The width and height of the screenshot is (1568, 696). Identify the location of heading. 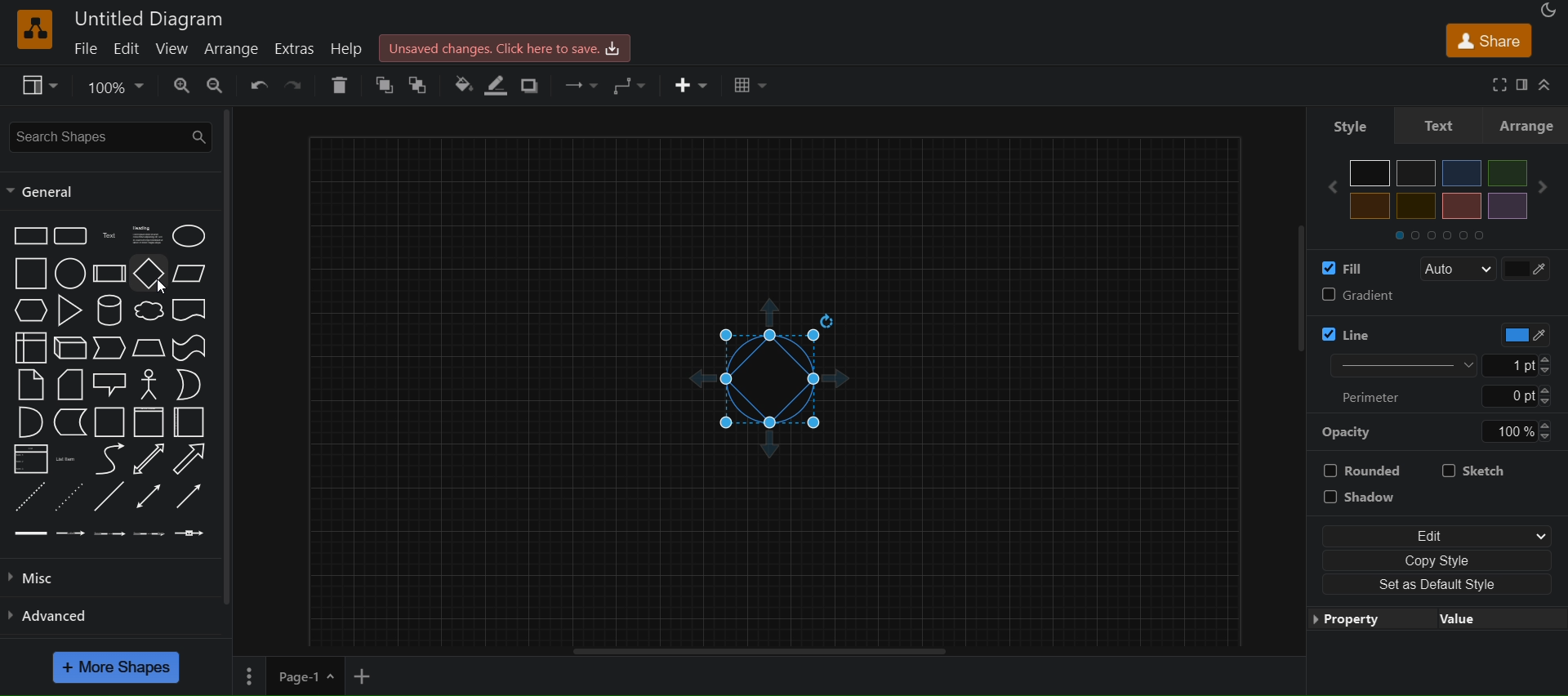
(149, 235).